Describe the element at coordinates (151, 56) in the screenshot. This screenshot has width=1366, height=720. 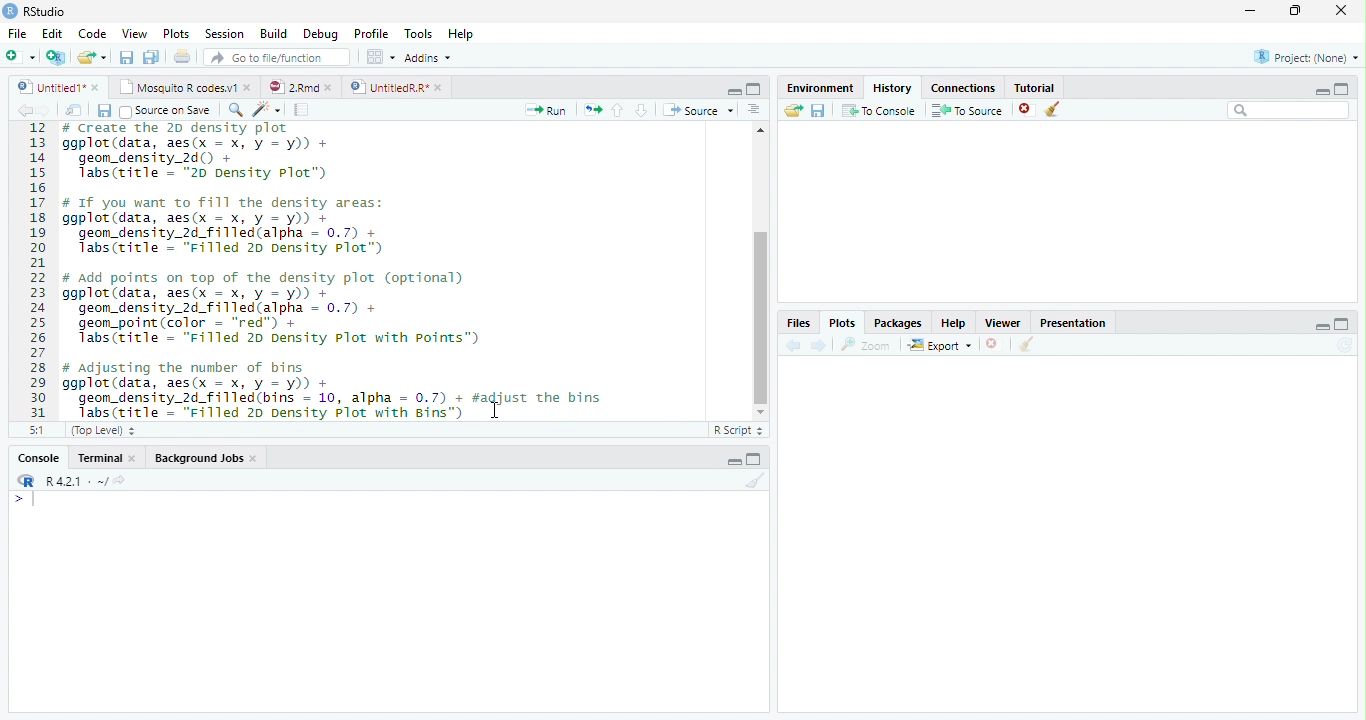
I see `save all open document` at that location.